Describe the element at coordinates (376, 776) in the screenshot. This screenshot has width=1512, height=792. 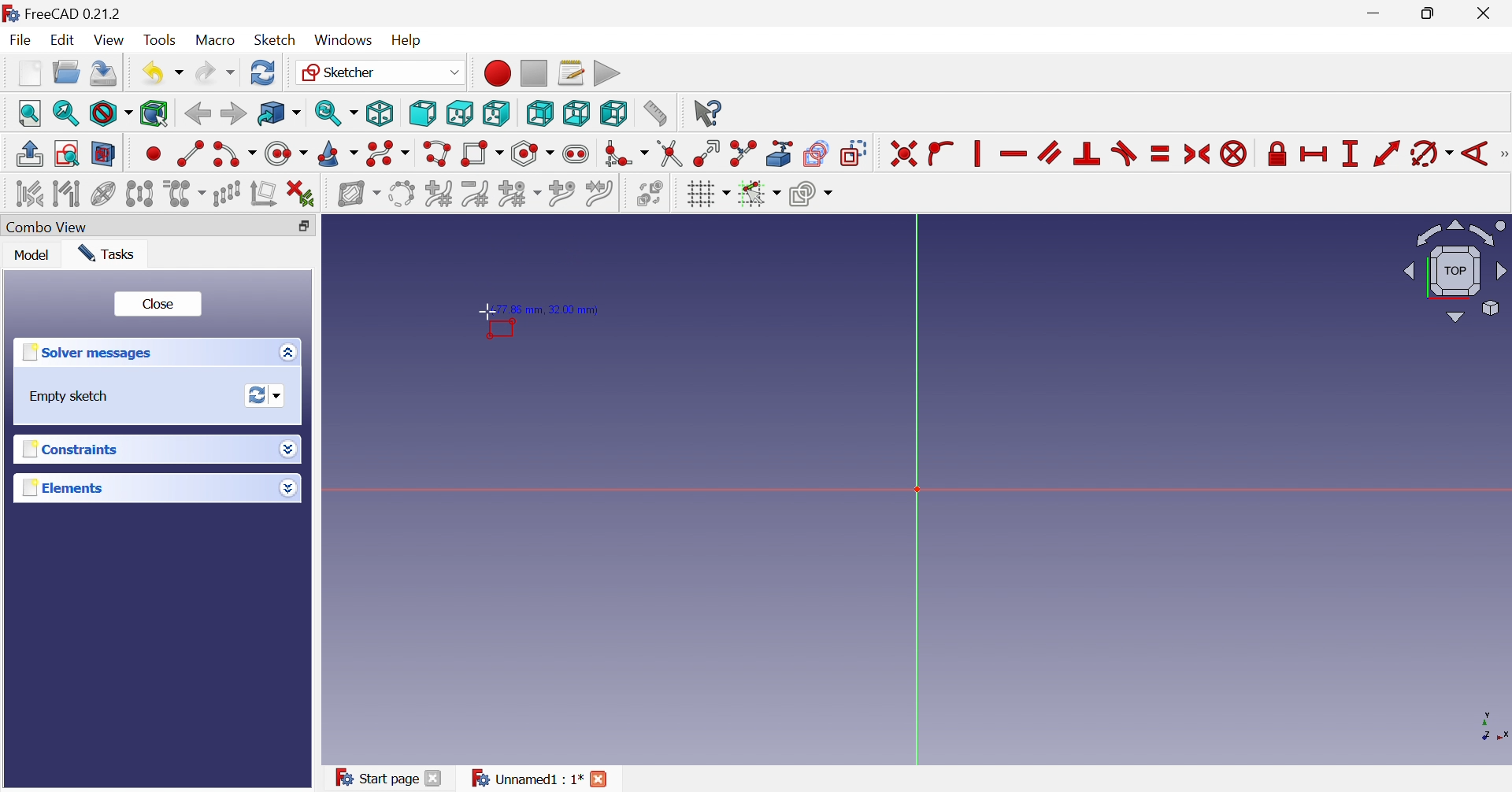
I see `Start page` at that location.